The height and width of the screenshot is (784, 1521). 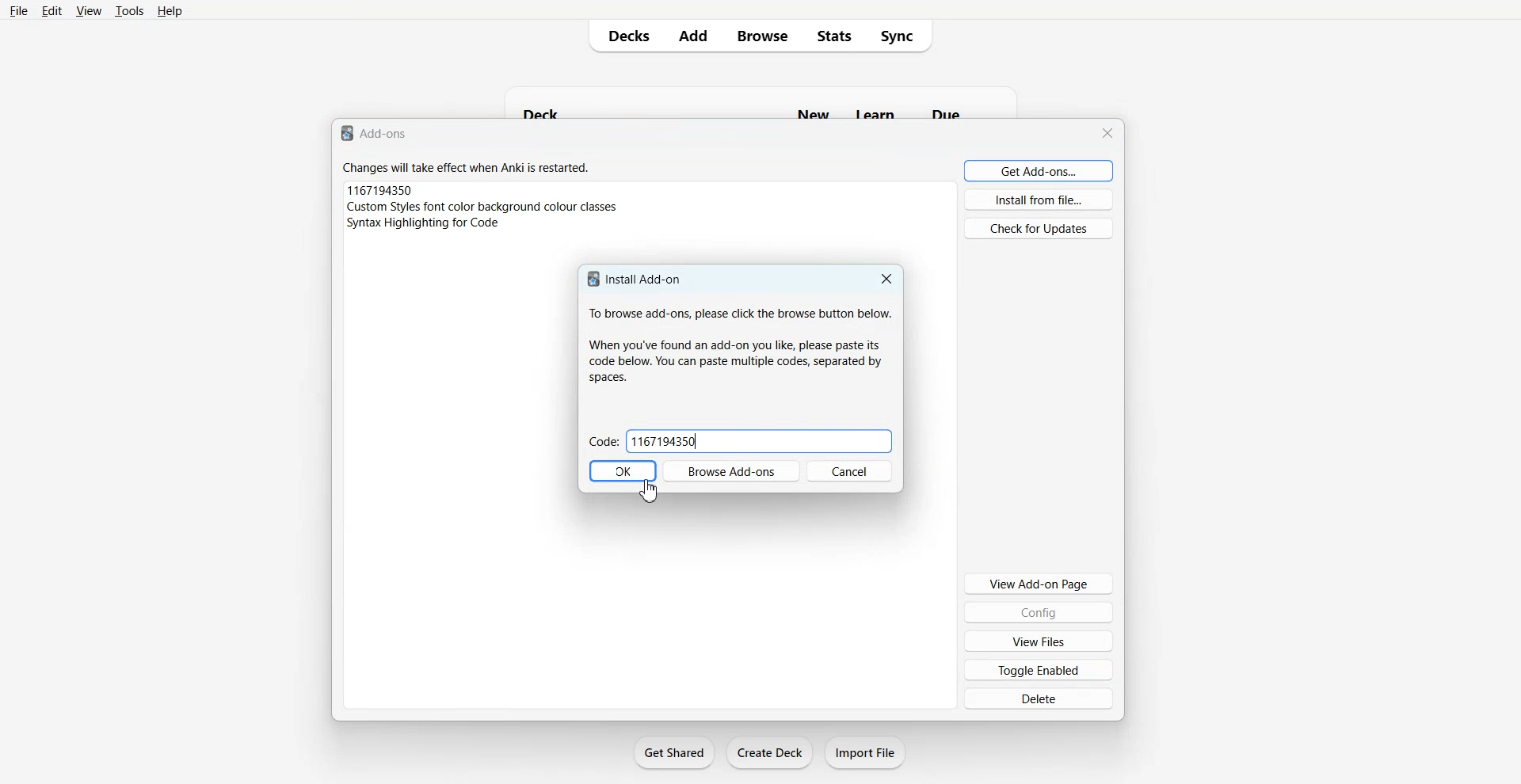 I want to click on Add, so click(x=694, y=36).